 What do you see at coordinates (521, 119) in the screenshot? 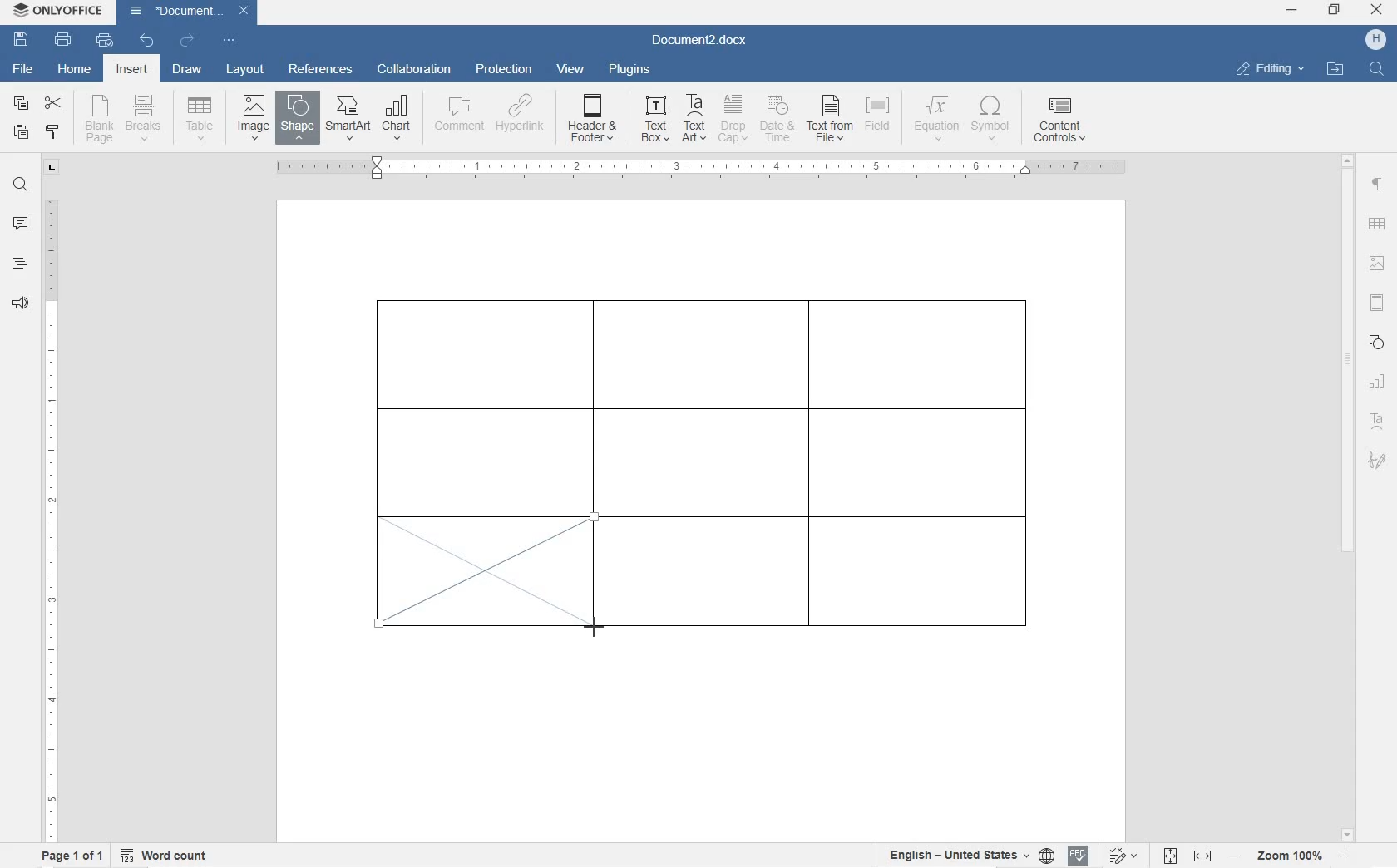
I see `HYPERLINK` at bounding box center [521, 119].